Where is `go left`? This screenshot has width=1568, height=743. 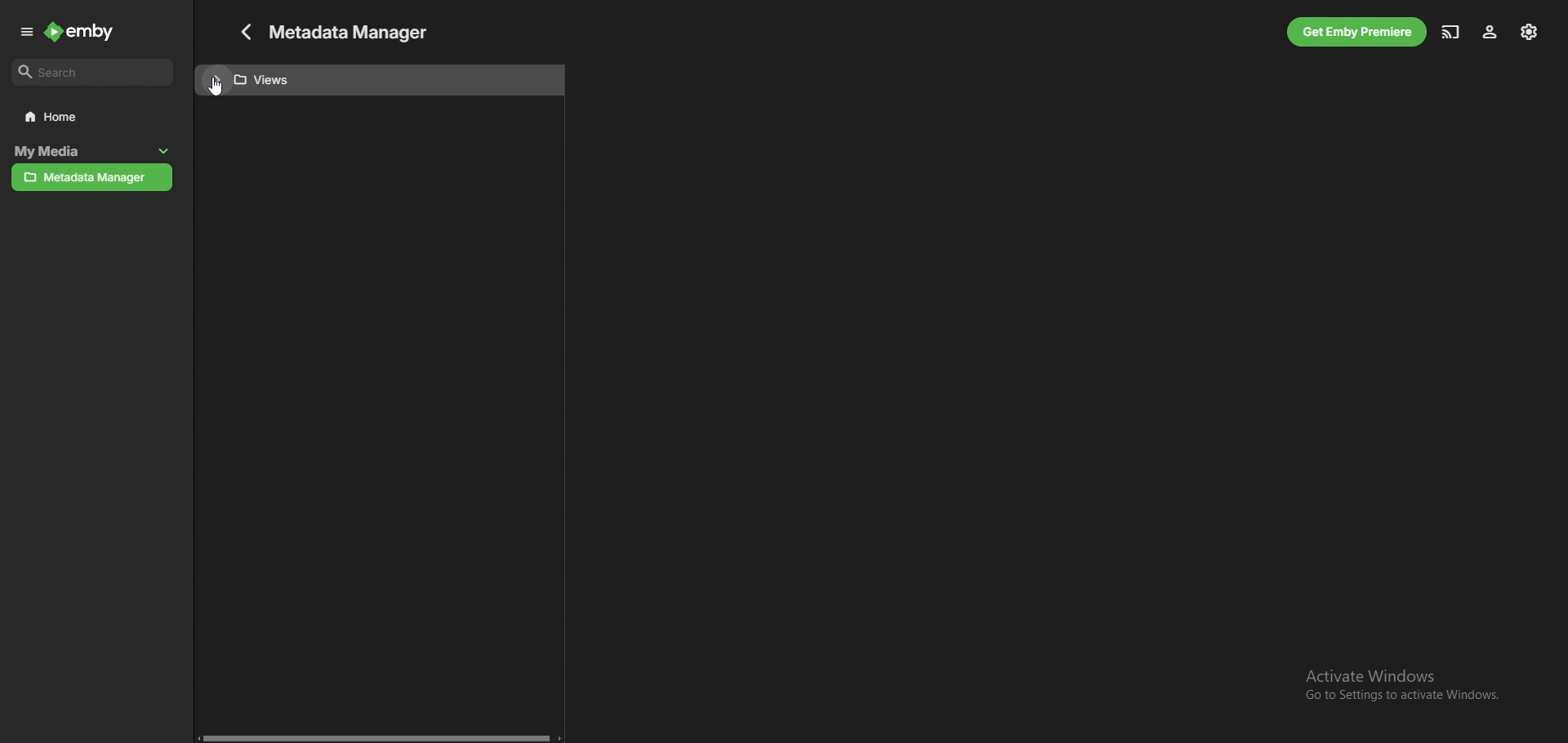
go left is located at coordinates (195, 738).